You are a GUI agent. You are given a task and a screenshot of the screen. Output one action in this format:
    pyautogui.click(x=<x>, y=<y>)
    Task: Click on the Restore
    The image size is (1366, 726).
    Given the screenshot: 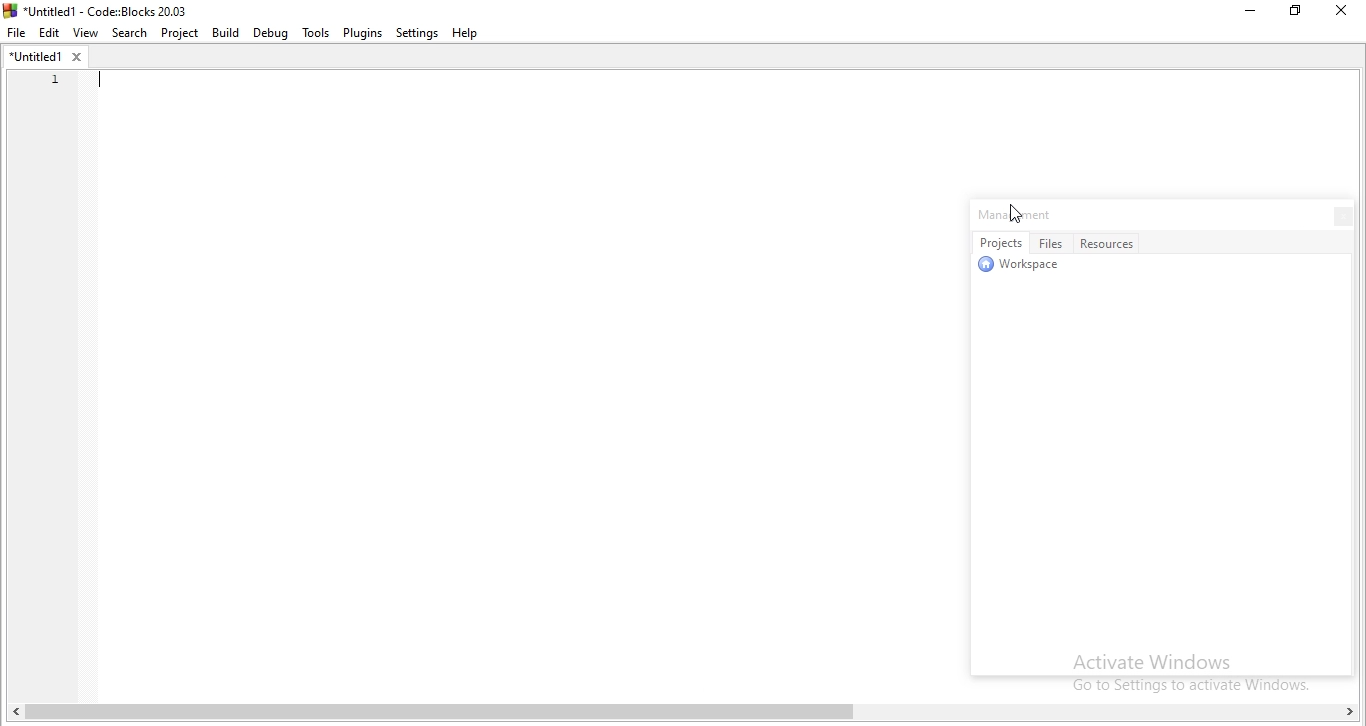 What is the action you would take?
    pyautogui.click(x=1295, y=15)
    